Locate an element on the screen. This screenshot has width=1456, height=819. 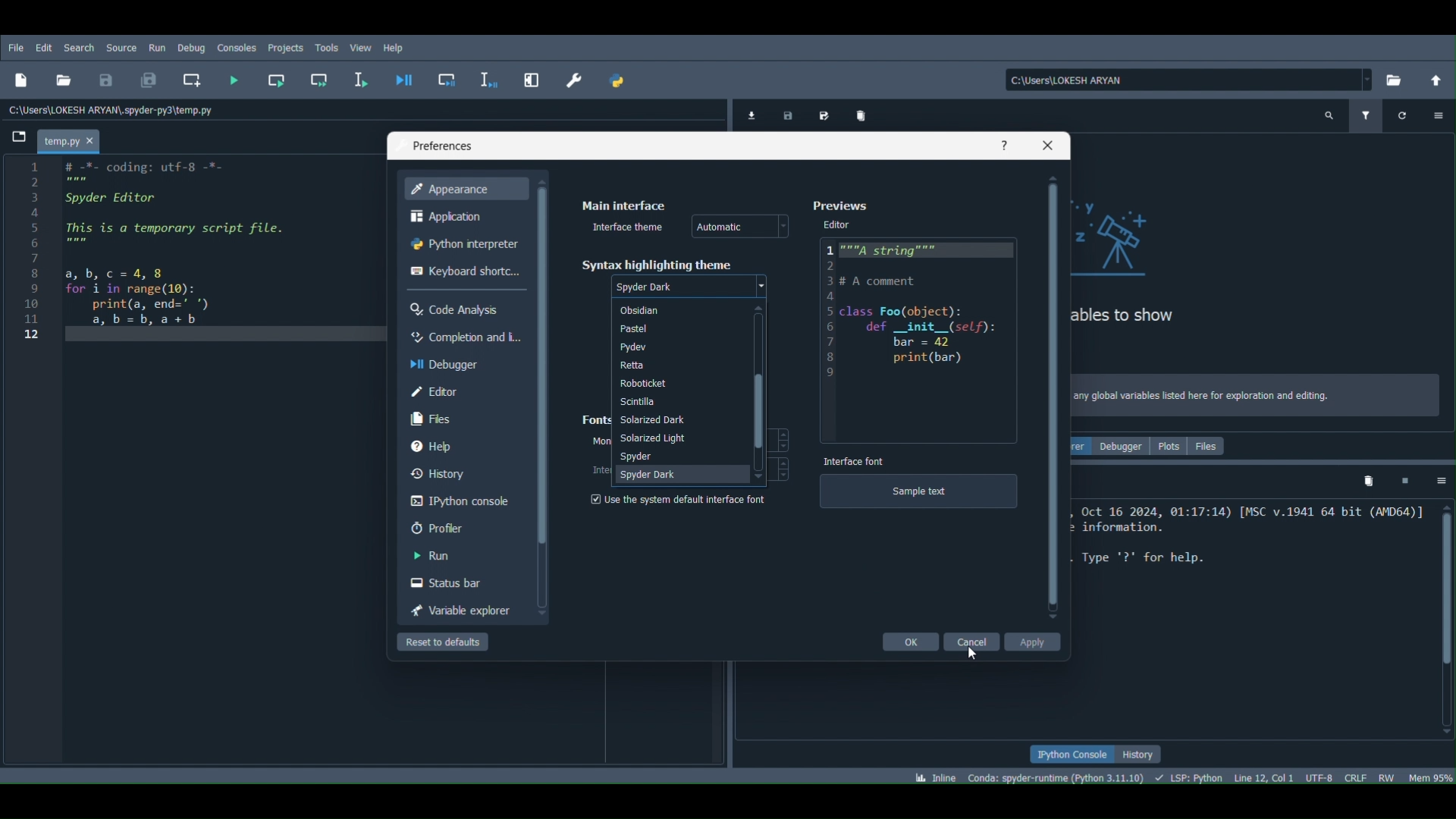
Import data is located at coordinates (750, 113).